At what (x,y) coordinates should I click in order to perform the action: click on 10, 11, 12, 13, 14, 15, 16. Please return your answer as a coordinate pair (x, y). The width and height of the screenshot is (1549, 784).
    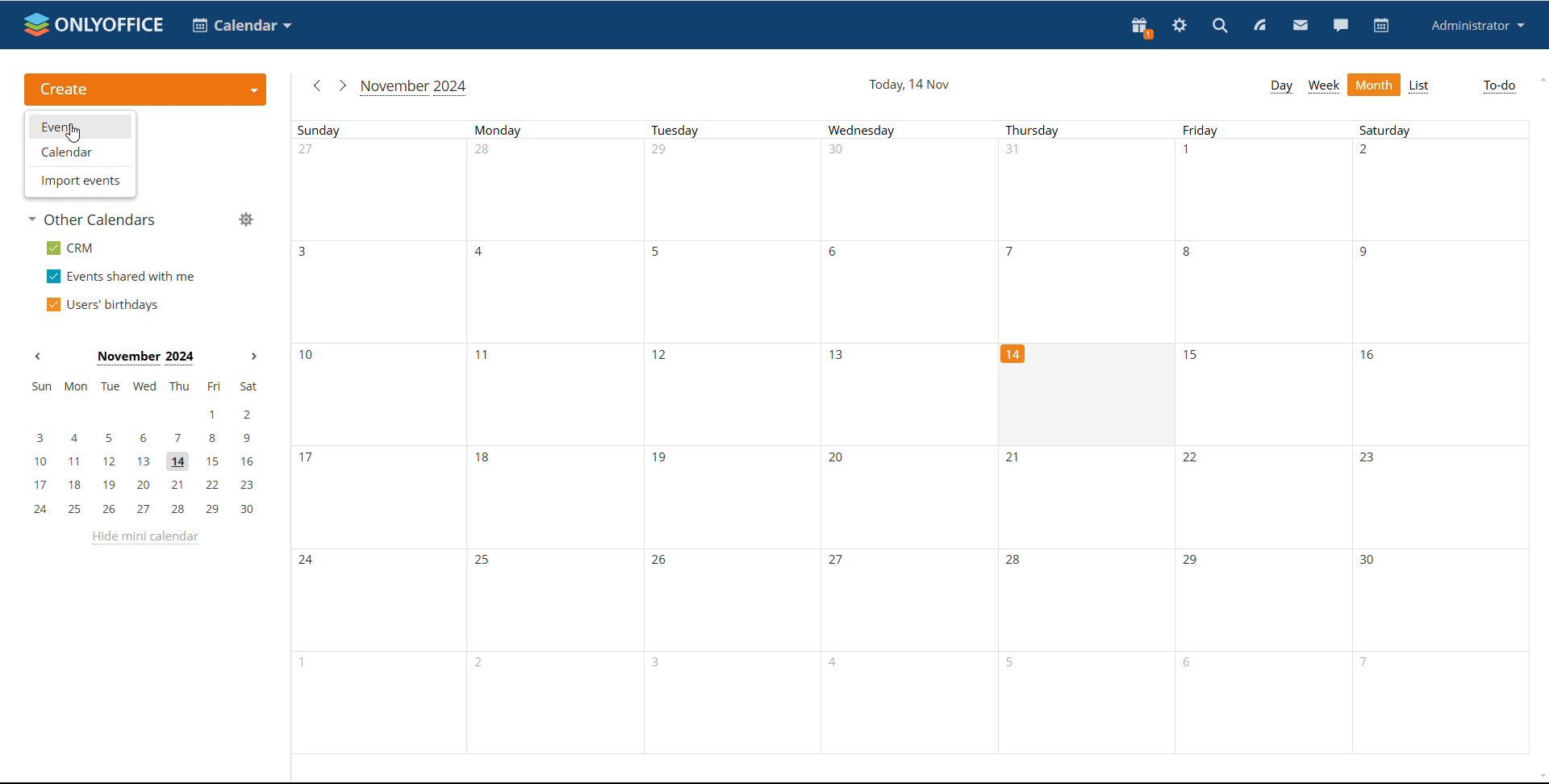
    Looking at the image, I should click on (148, 462).